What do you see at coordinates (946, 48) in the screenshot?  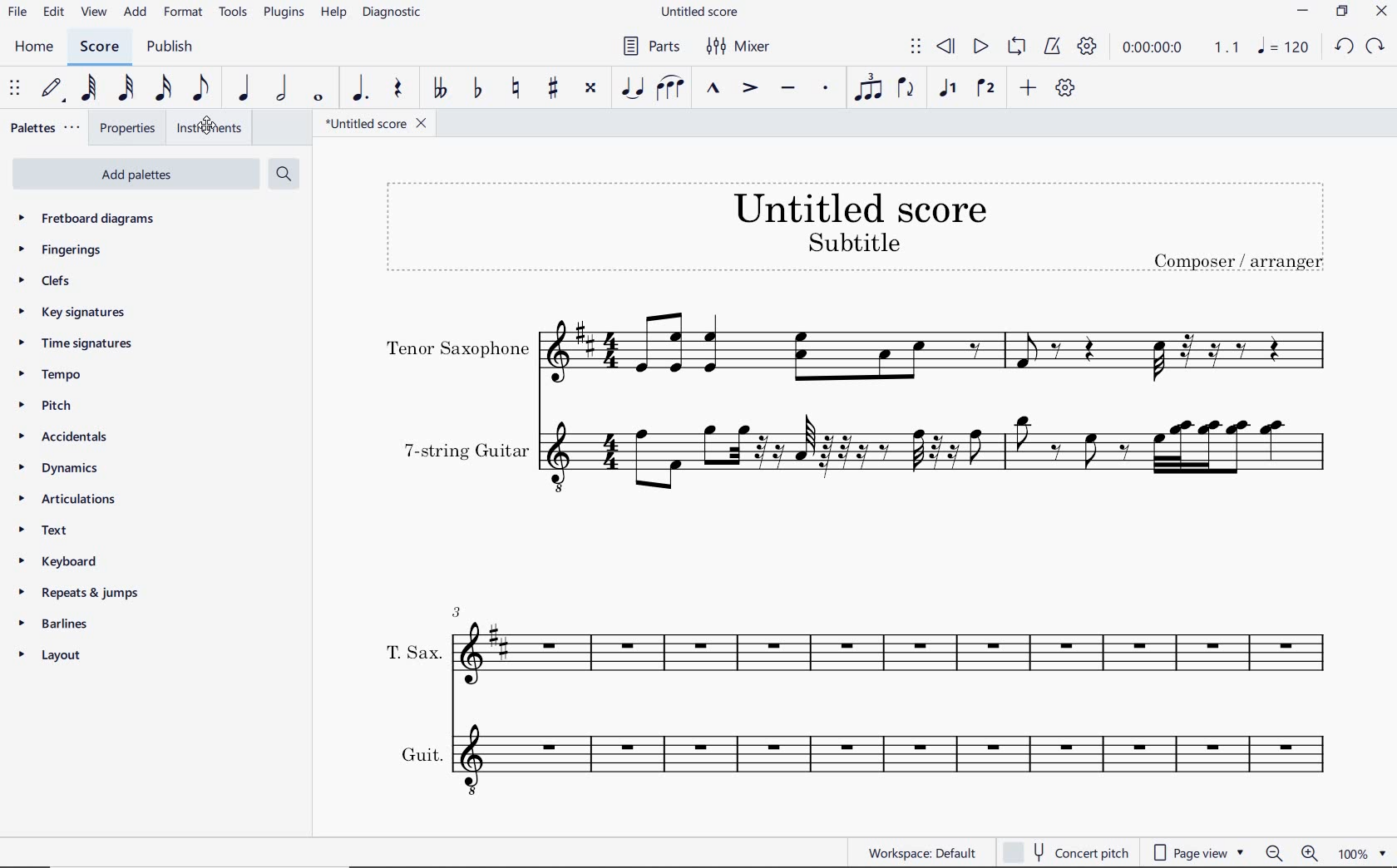 I see `REWIND` at bounding box center [946, 48].